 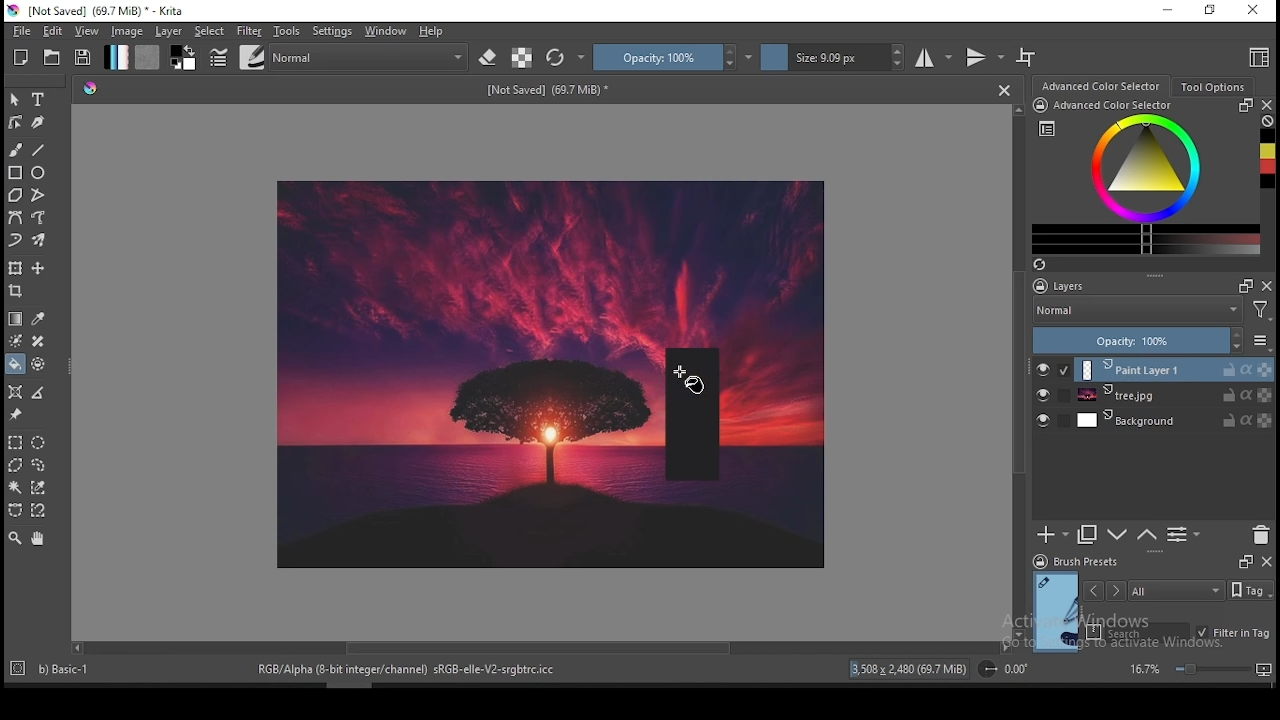 What do you see at coordinates (19, 32) in the screenshot?
I see `file` at bounding box center [19, 32].